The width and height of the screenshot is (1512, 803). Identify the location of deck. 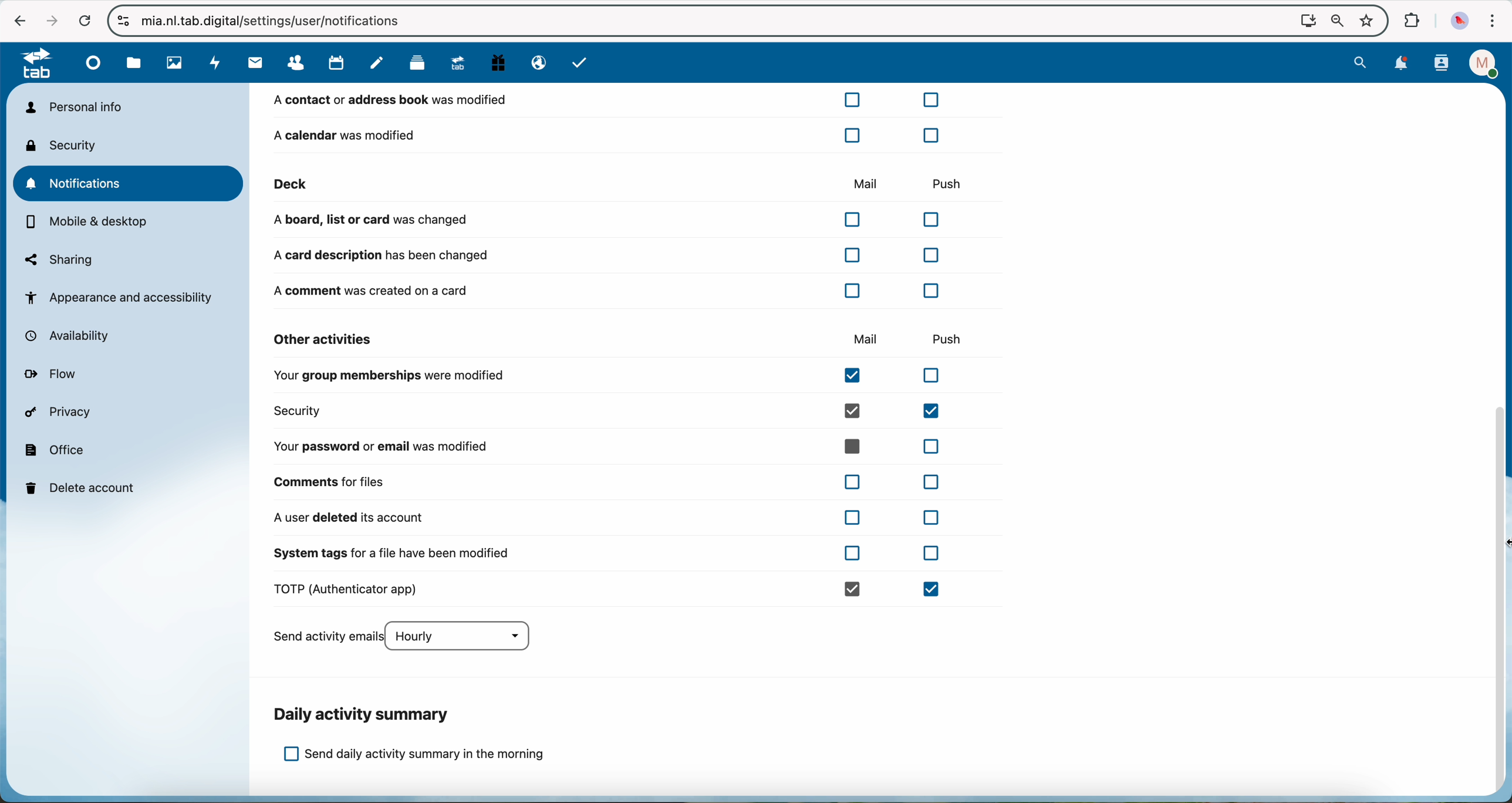
(417, 66).